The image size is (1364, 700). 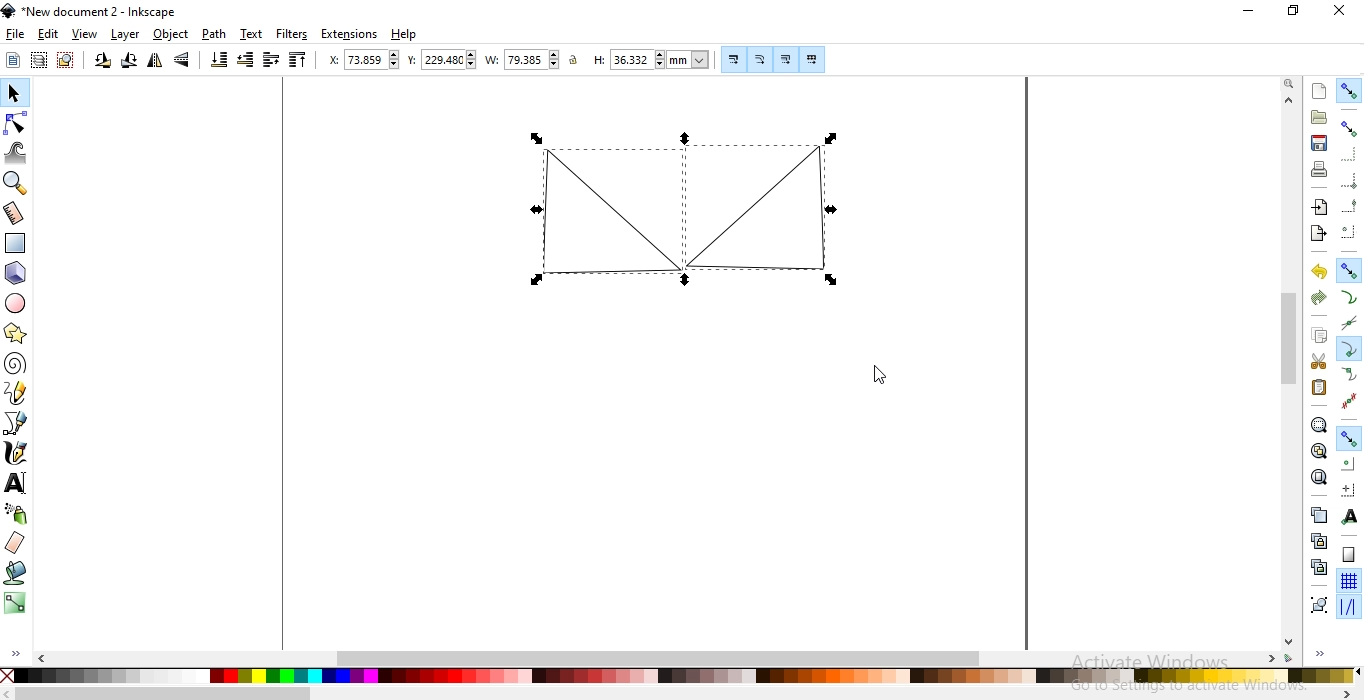 I want to click on lower selection to bottom, so click(x=218, y=62).